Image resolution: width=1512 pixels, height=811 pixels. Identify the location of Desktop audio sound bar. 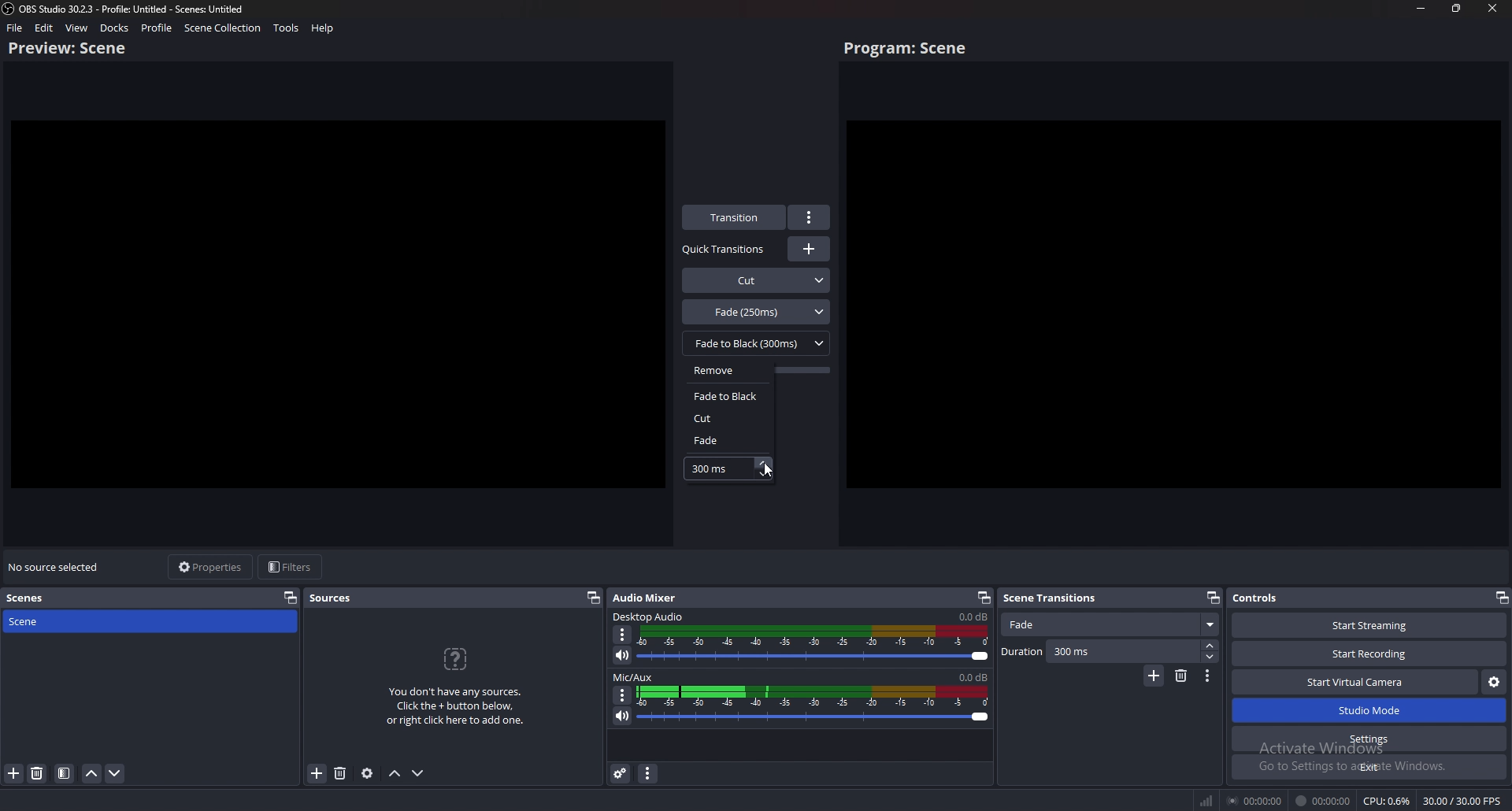
(817, 646).